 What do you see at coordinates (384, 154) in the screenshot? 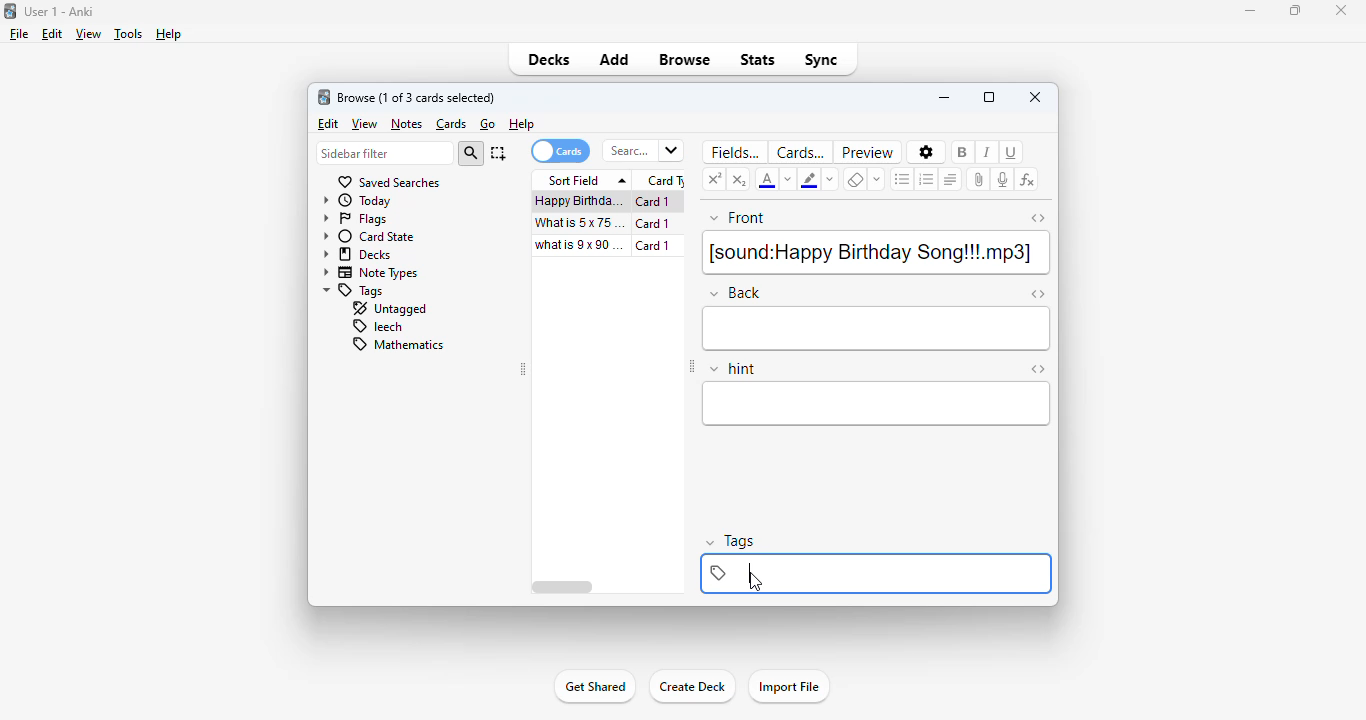
I see `sidebar filter` at bounding box center [384, 154].